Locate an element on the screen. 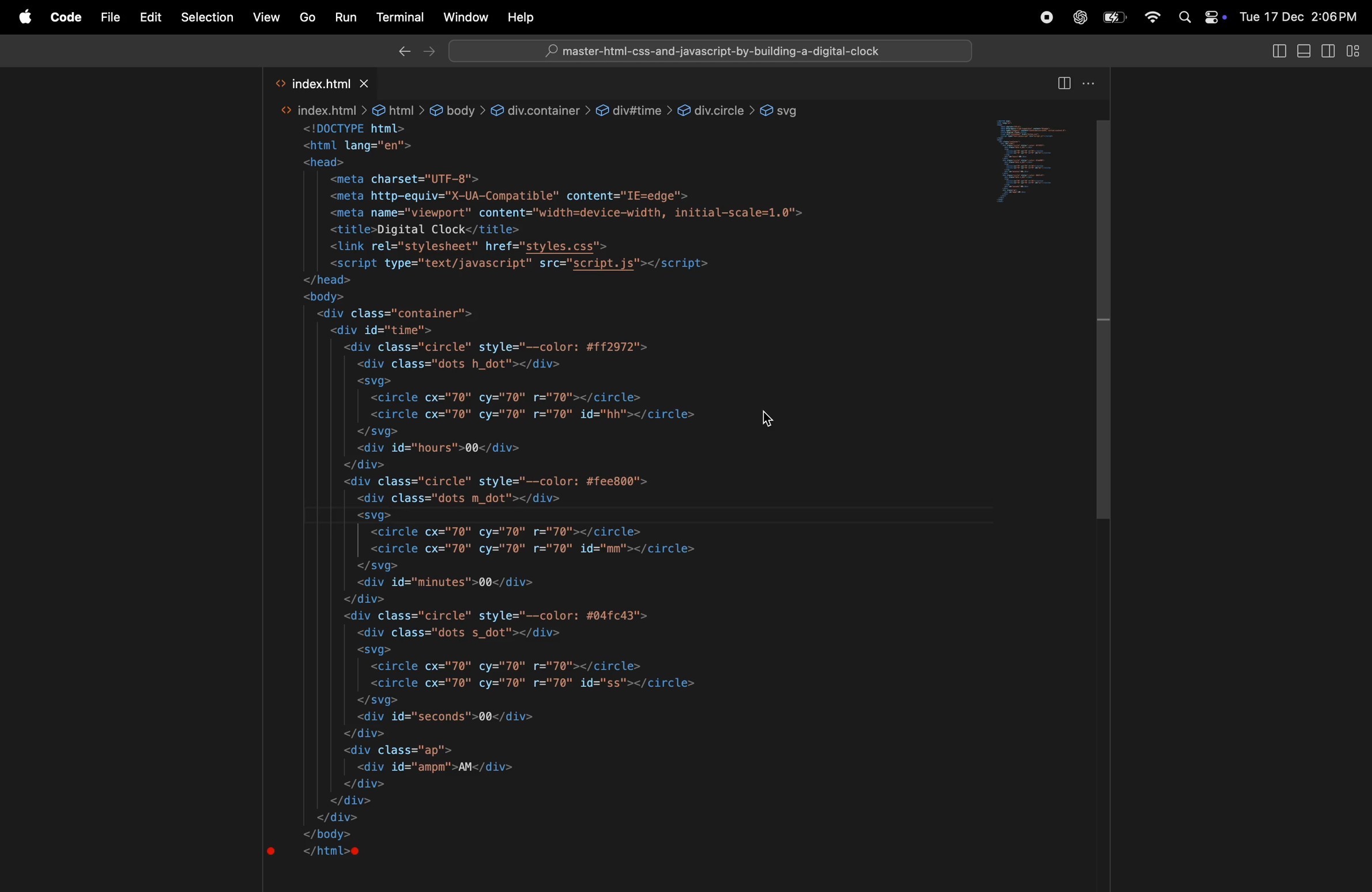 Image resolution: width=1372 pixels, height=892 pixels. file is located at coordinates (111, 19).